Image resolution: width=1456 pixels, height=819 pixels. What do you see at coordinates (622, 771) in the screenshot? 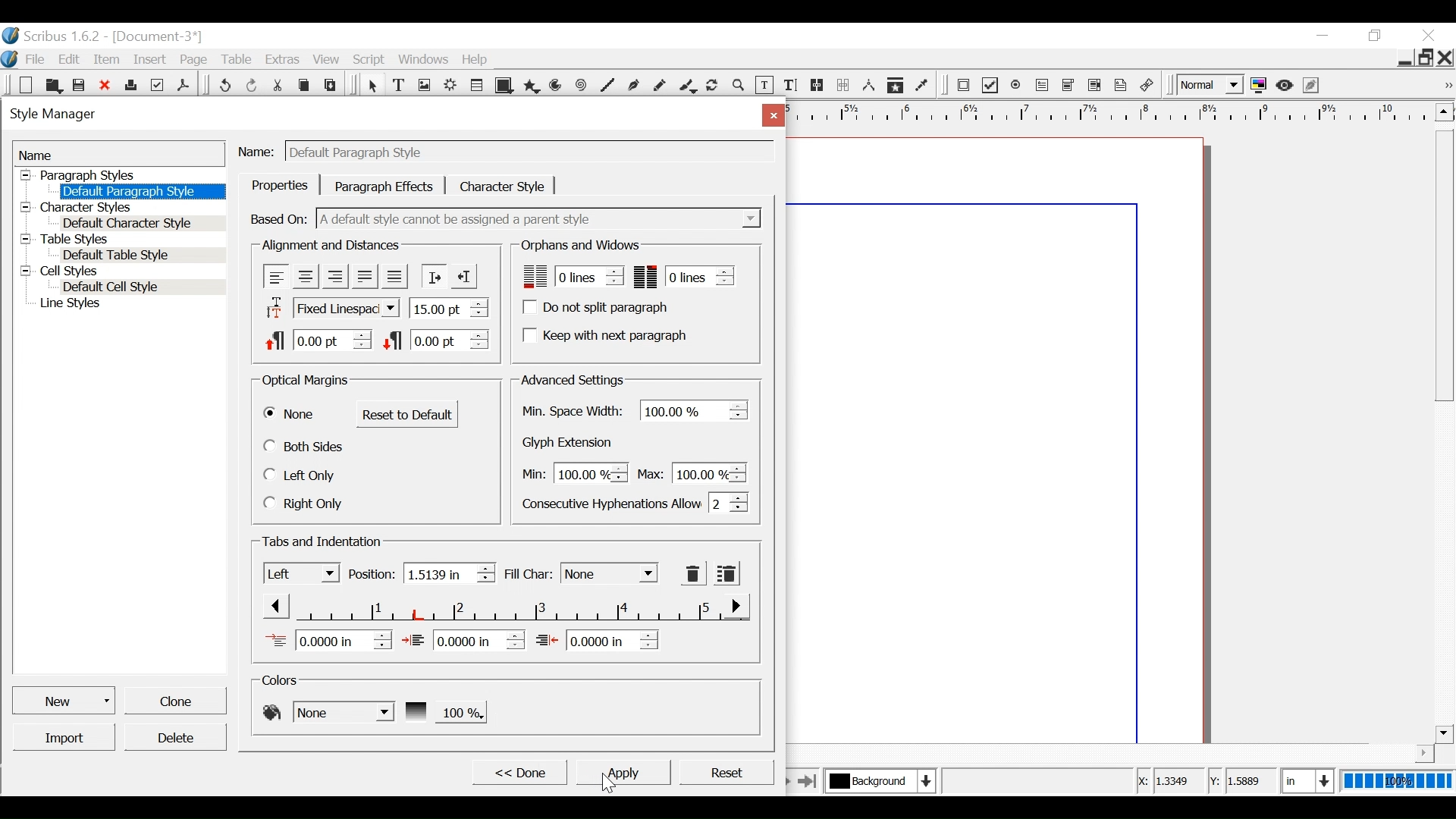
I see `Apply` at bounding box center [622, 771].